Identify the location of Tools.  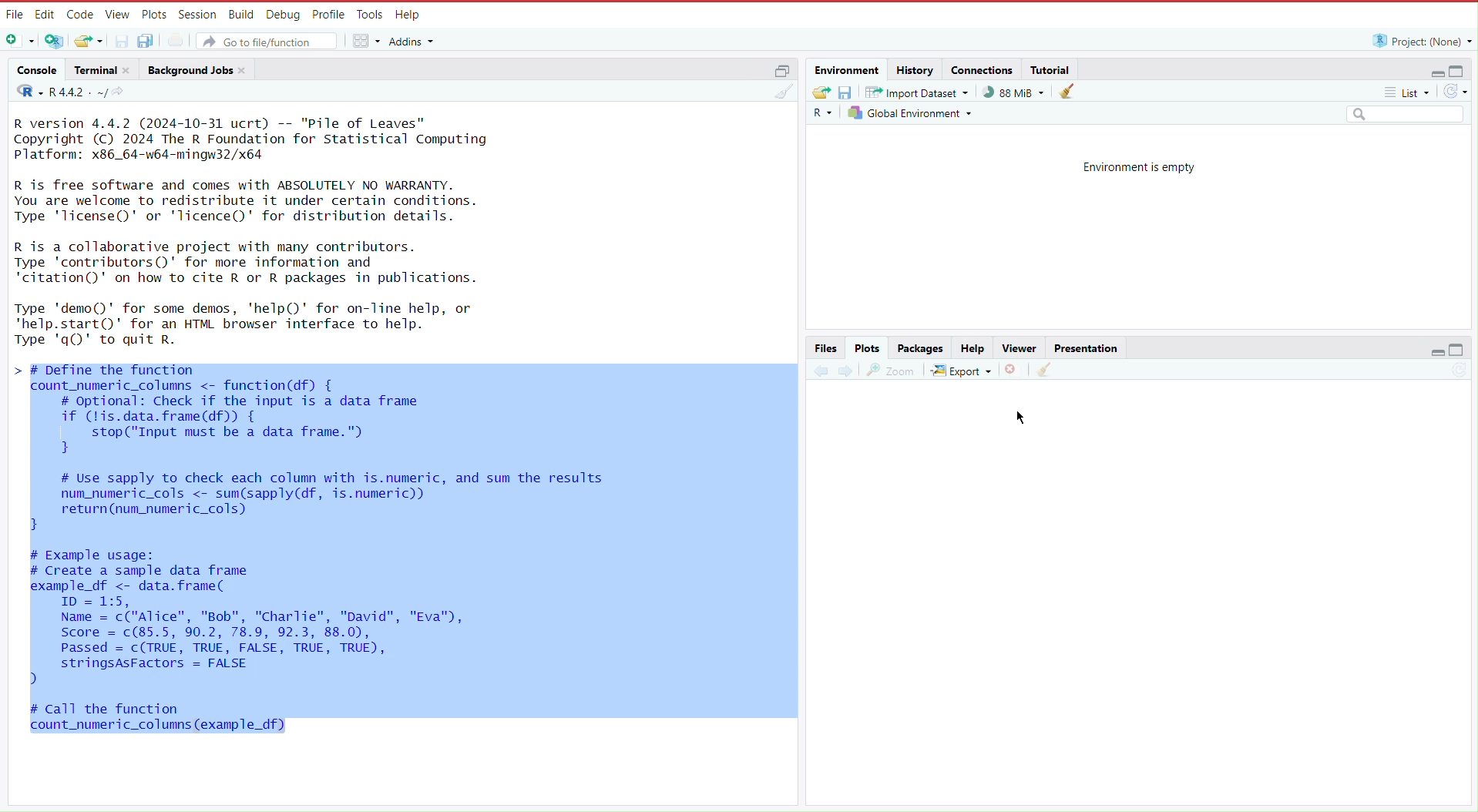
(368, 15).